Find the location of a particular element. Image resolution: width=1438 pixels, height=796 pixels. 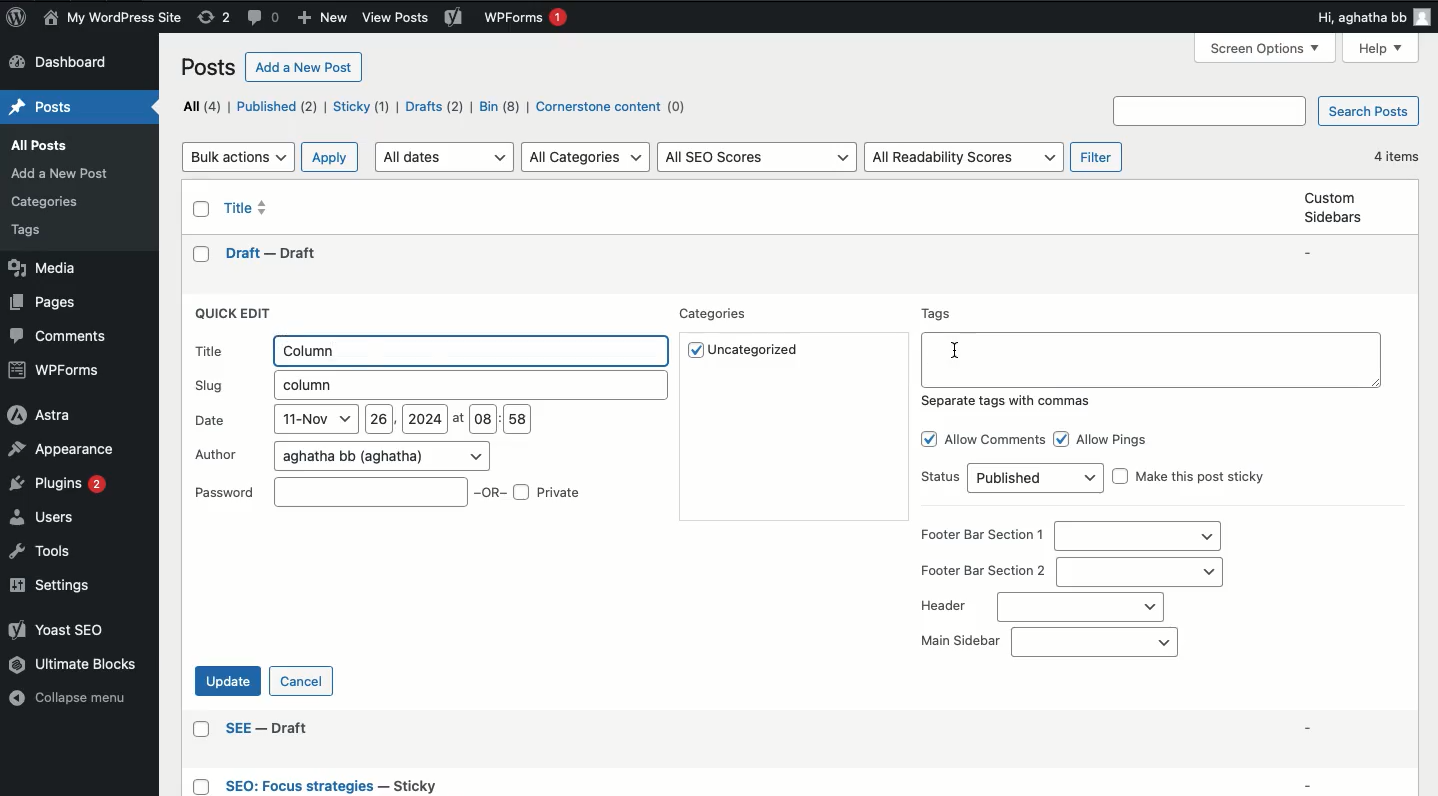

Tags is located at coordinates (1148, 359).